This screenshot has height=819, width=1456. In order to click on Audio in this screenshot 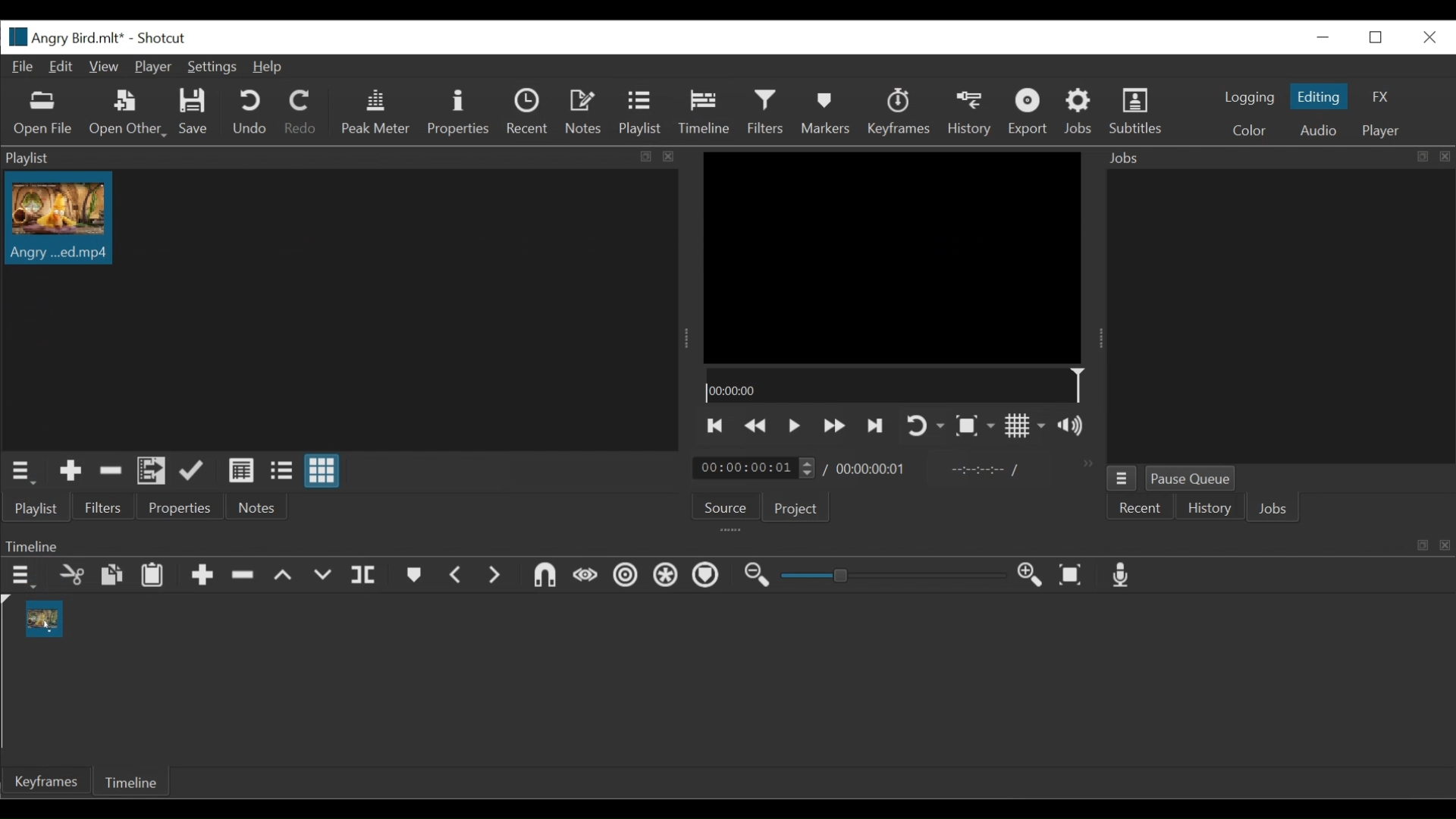, I will do `click(1322, 130)`.